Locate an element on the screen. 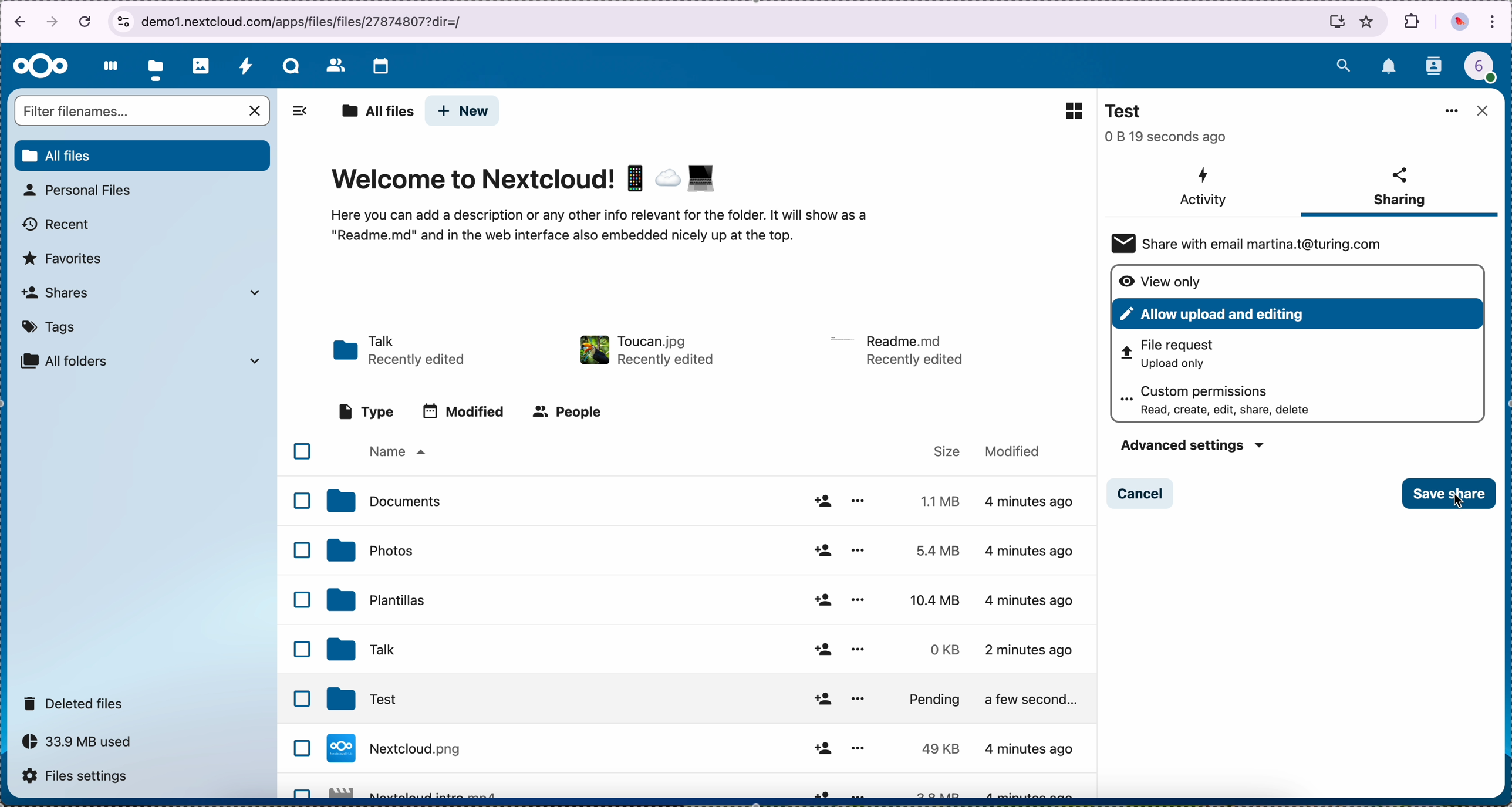 The width and height of the screenshot is (1512, 807). cursor is located at coordinates (1456, 504).